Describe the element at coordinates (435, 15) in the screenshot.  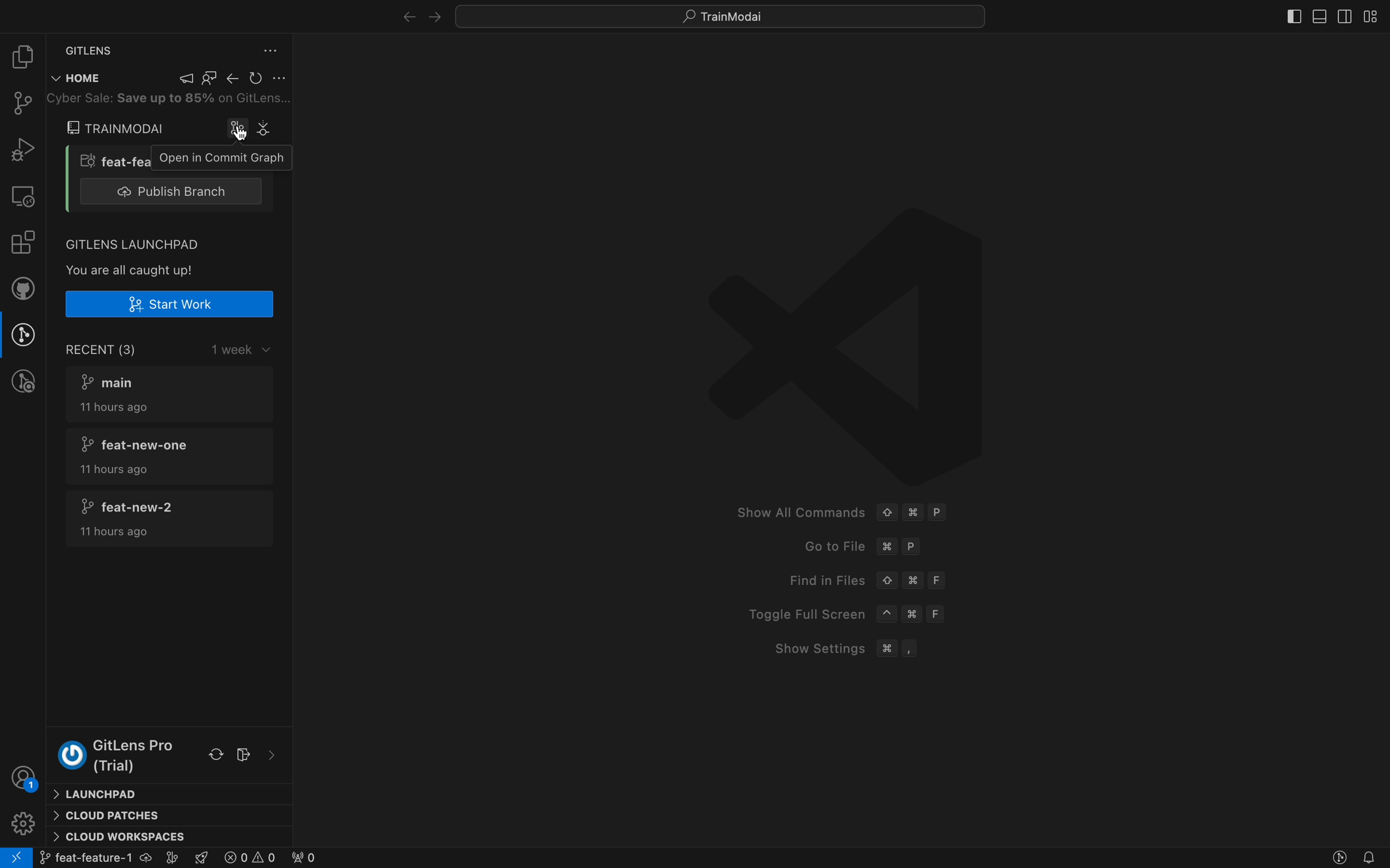
I see `leftarrow` at that location.